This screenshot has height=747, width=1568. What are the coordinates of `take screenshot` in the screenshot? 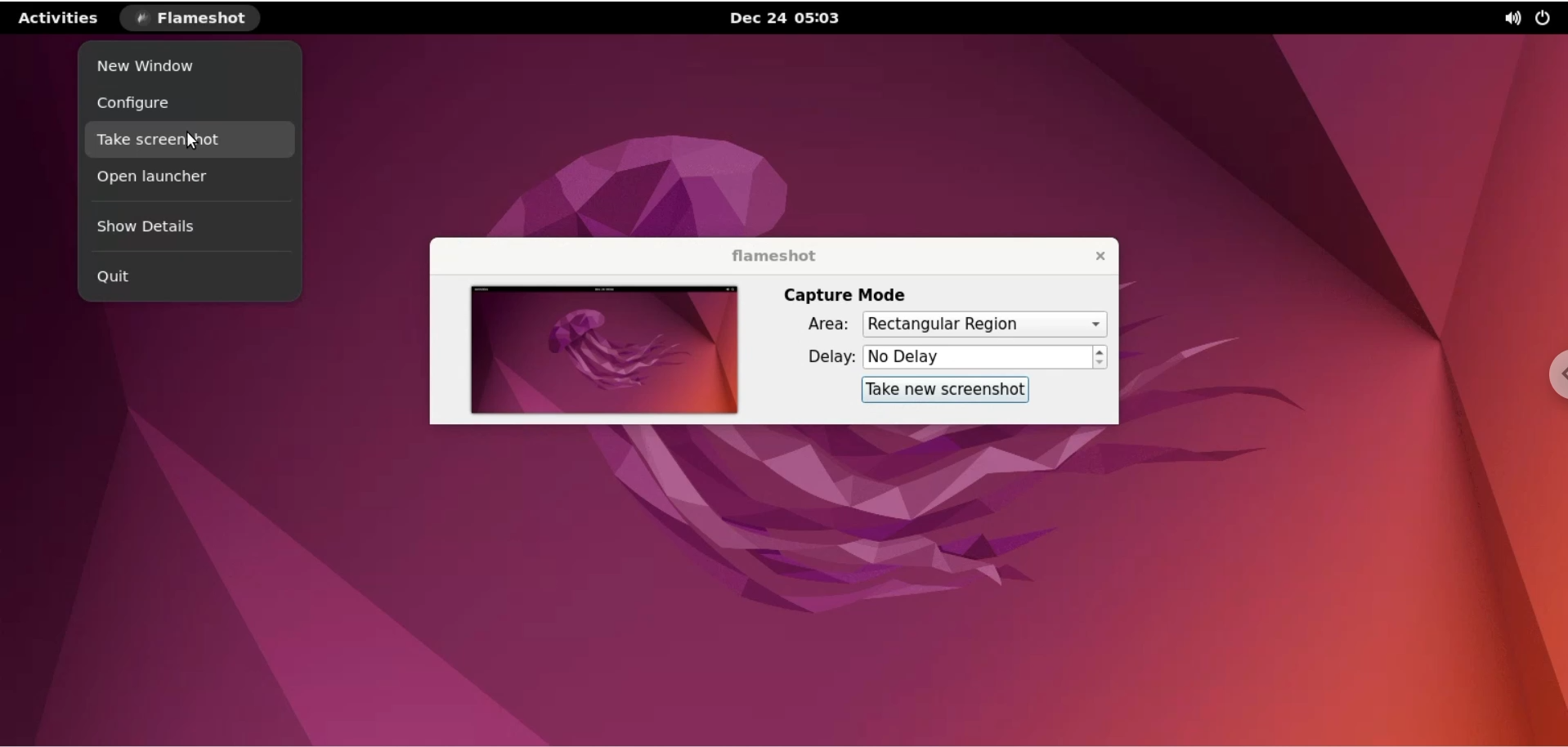 It's located at (193, 141).